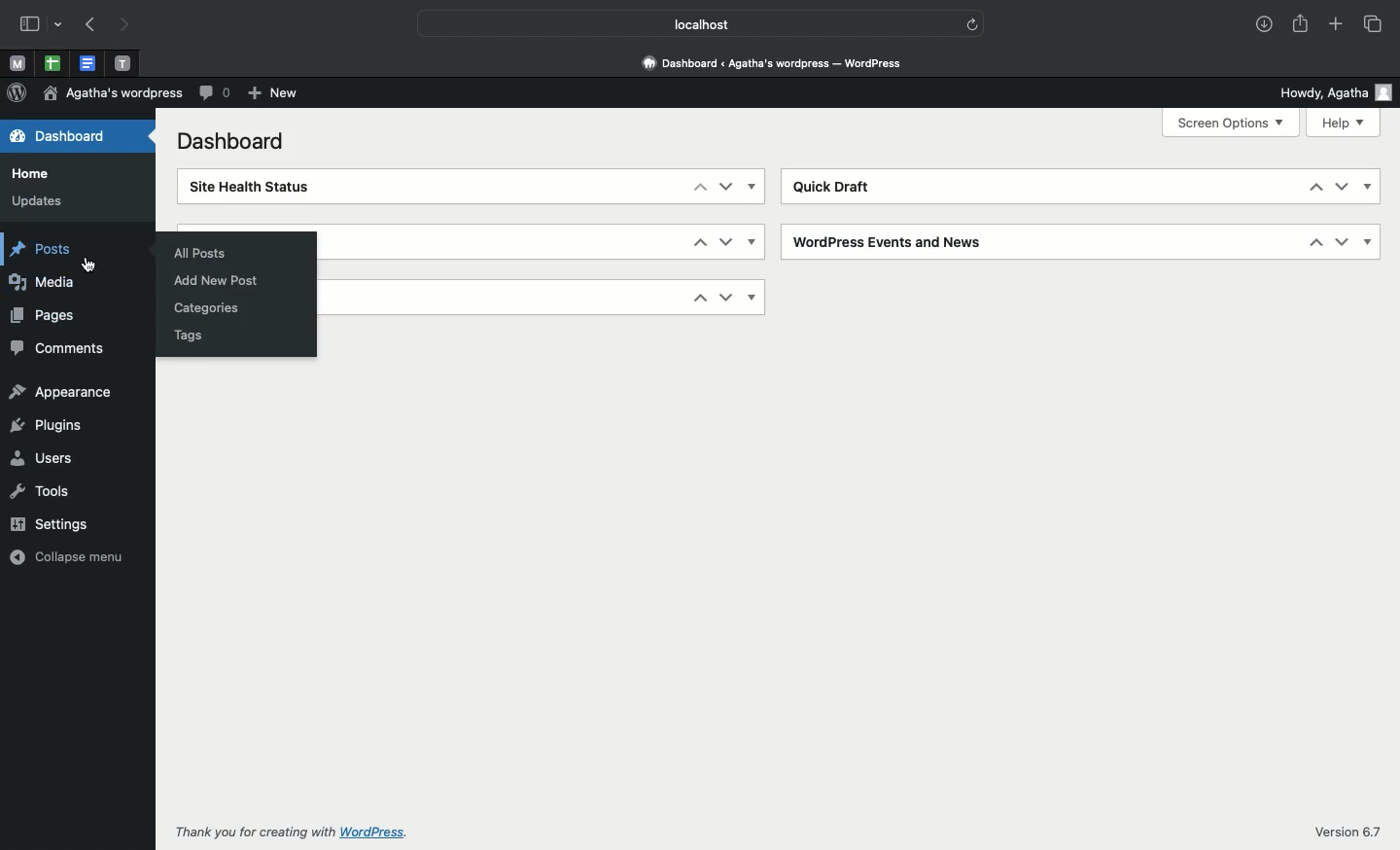 The height and width of the screenshot is (850, 1400). What do you see at coordinates (40, 314) in the screenshot?
I see `Pages` at bounding box center [40, 314].